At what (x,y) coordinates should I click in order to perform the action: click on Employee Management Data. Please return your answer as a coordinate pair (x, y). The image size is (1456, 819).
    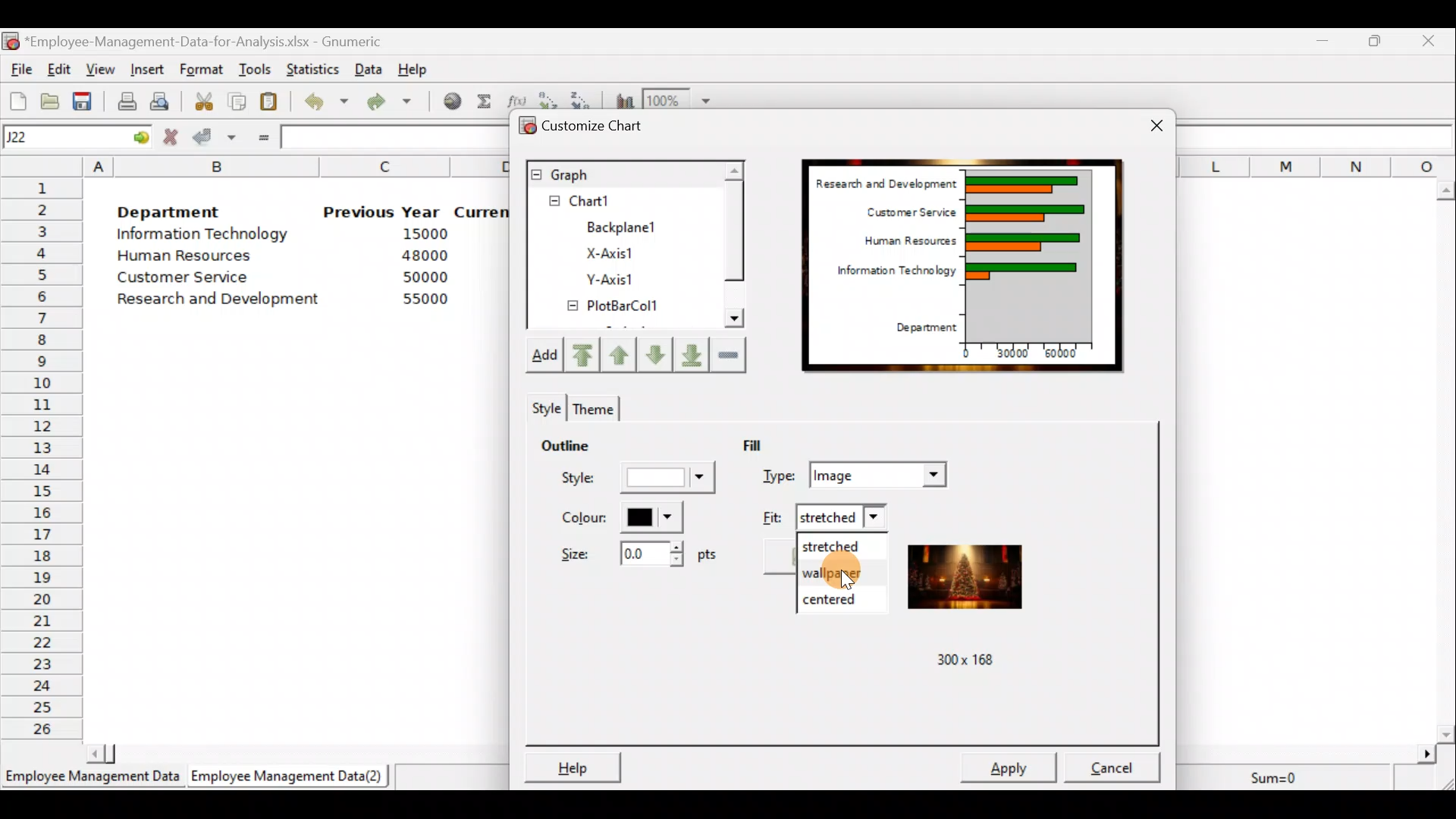
    Looking at the image, I should click on (90, 778).